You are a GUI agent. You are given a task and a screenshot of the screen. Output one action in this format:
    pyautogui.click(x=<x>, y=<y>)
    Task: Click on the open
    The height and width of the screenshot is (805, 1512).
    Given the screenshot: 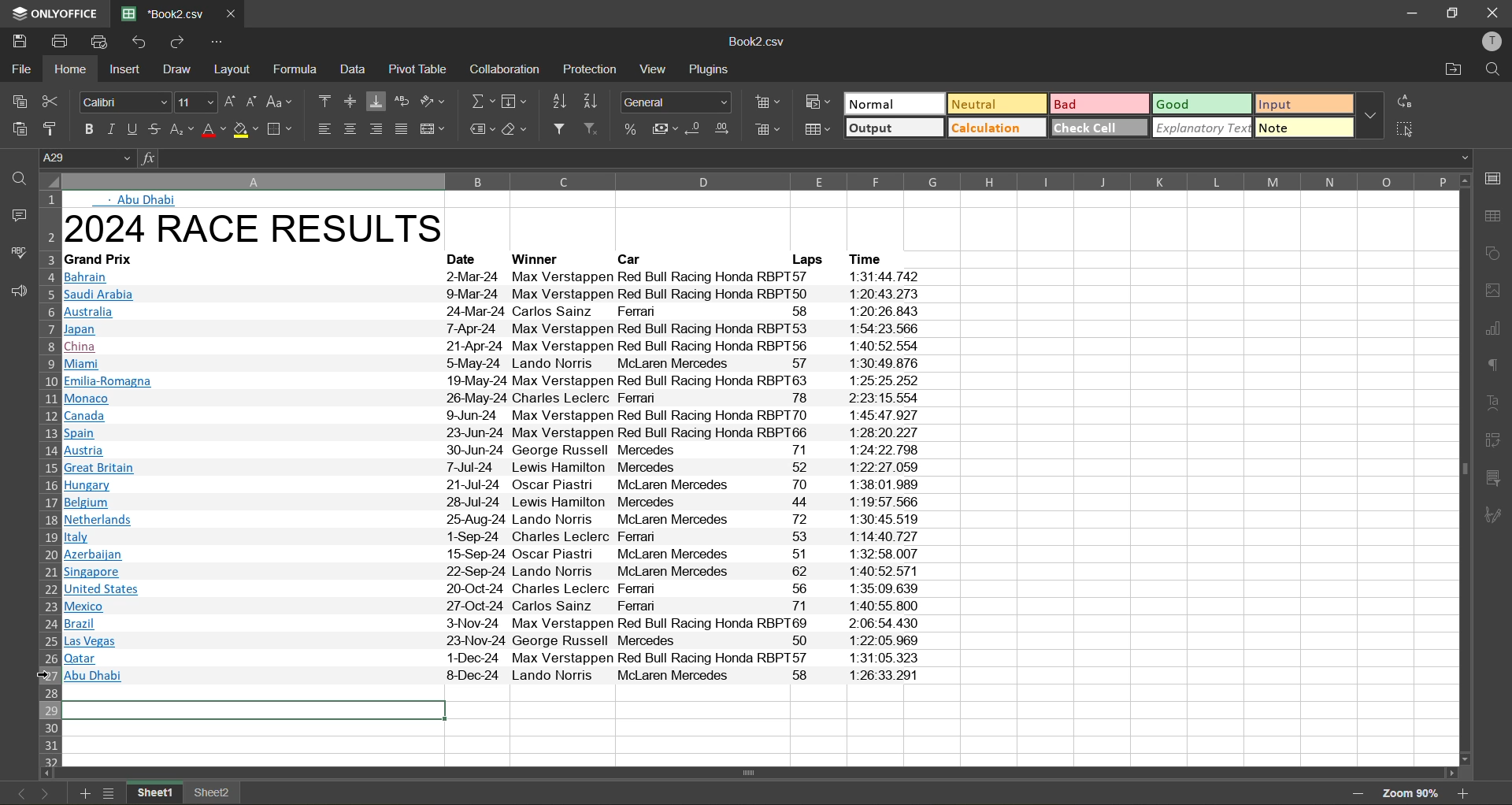 What is the action you would take?
    pyautogui.click(x=13, y=176)
    